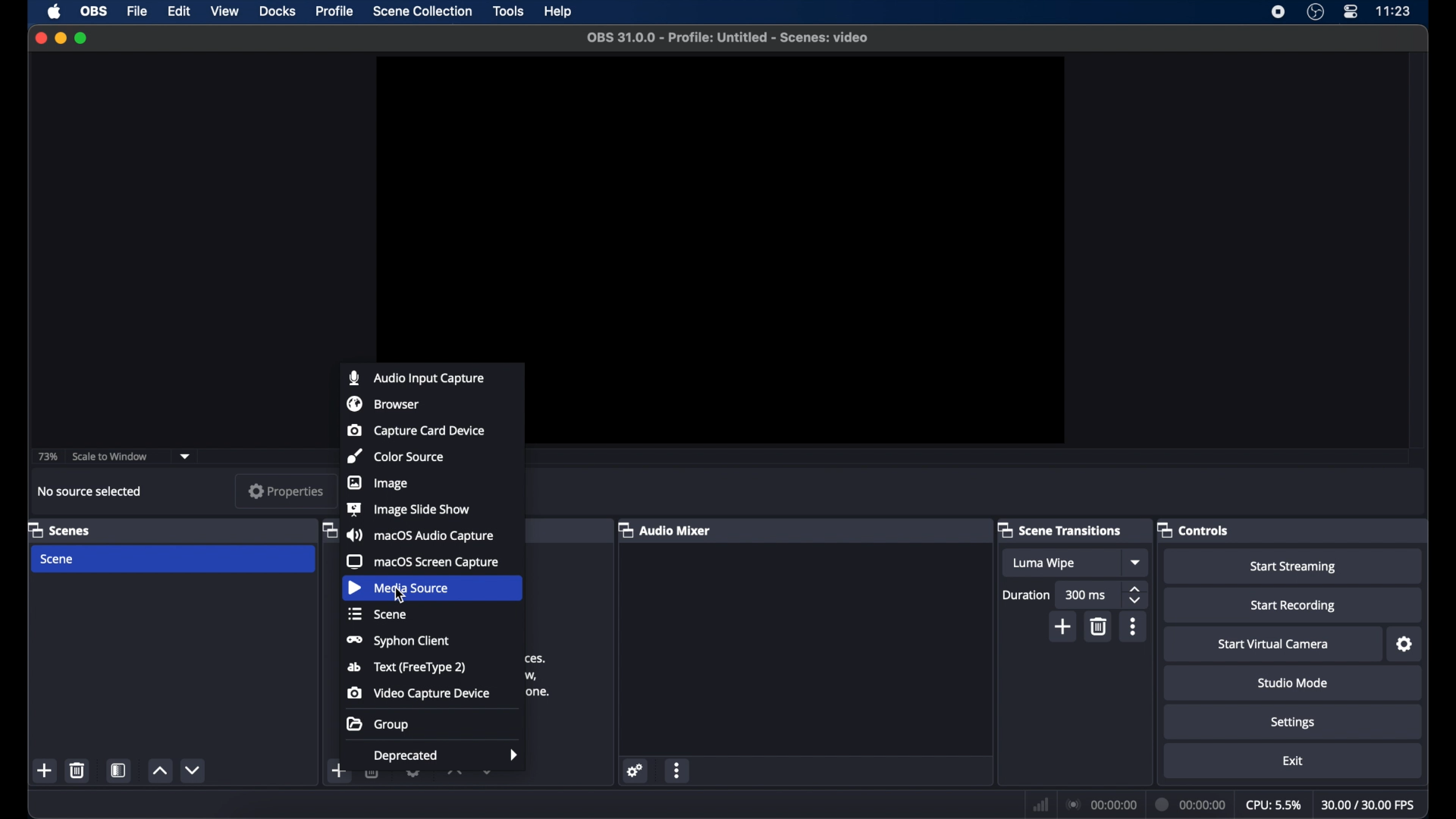 Image resolution: width=1456 pixels, height=819 pixels. I want to click on add, so click(1064, 627).